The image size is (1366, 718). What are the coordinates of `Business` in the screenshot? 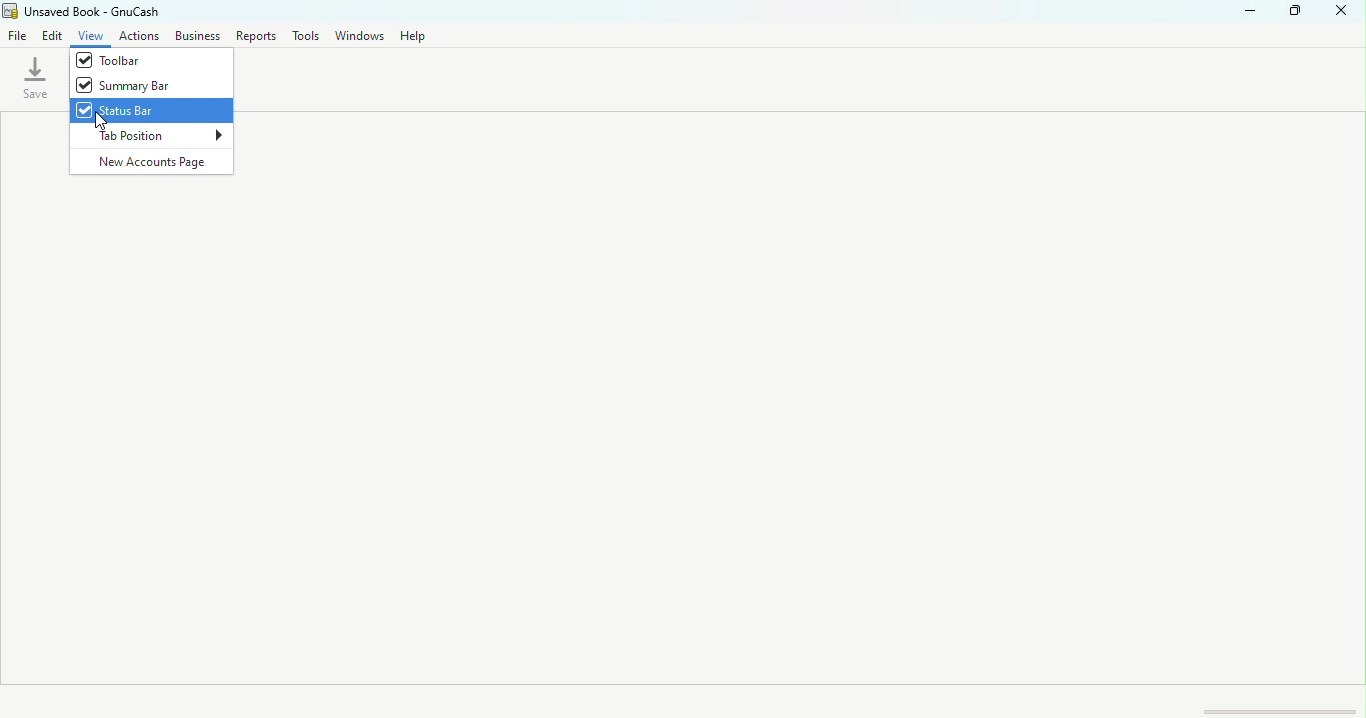 It's located at (201, 38).